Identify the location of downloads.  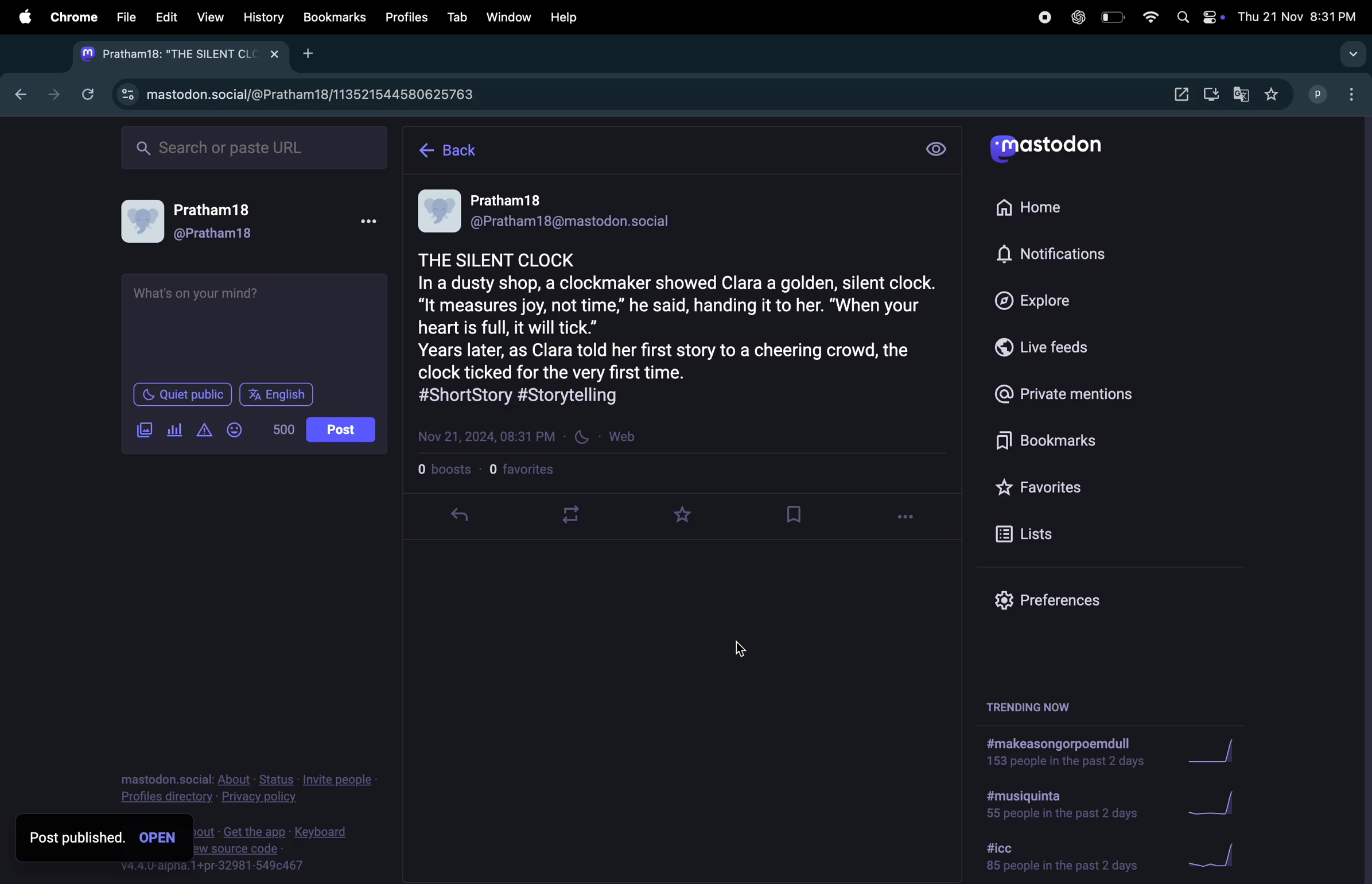
(1175, 92).